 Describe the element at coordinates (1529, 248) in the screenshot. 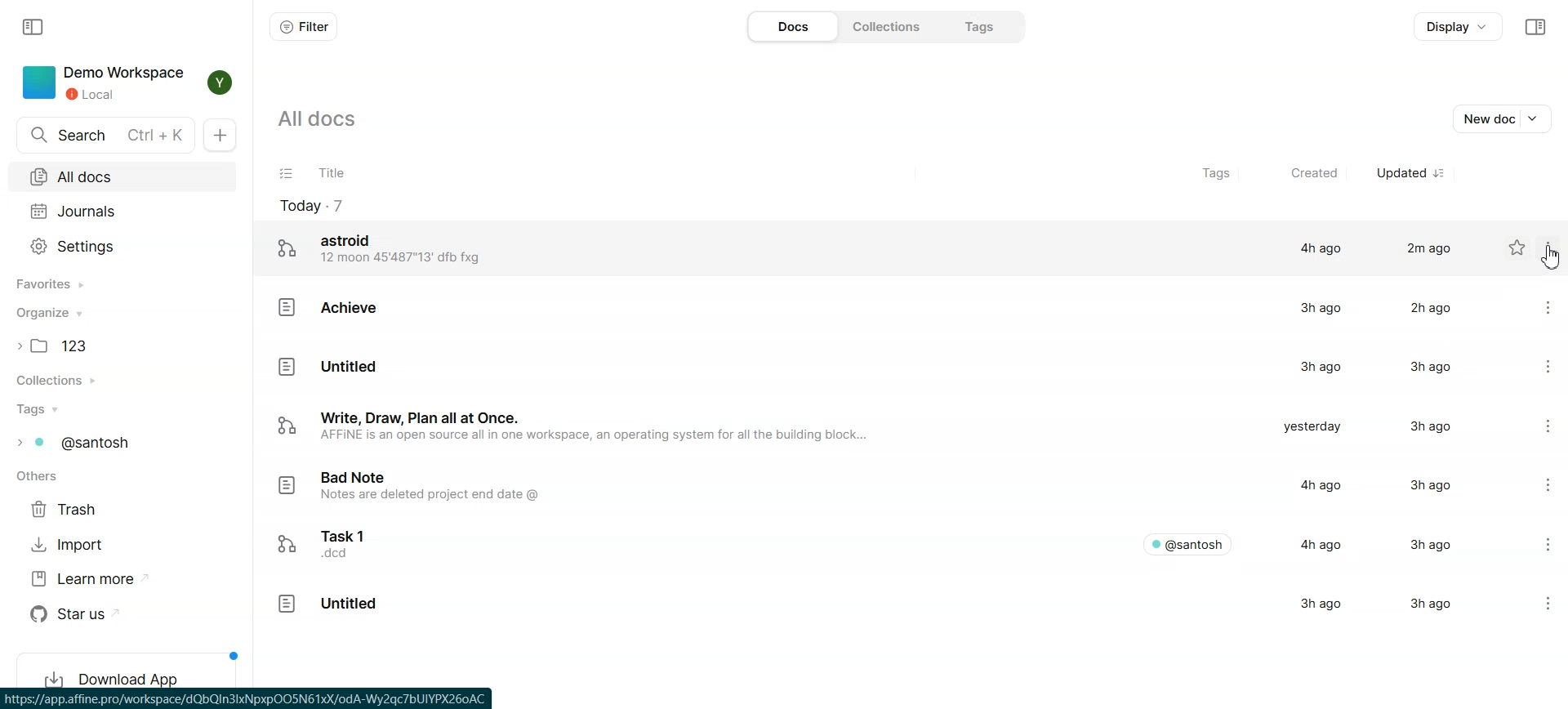

I see `Settings` at that location.